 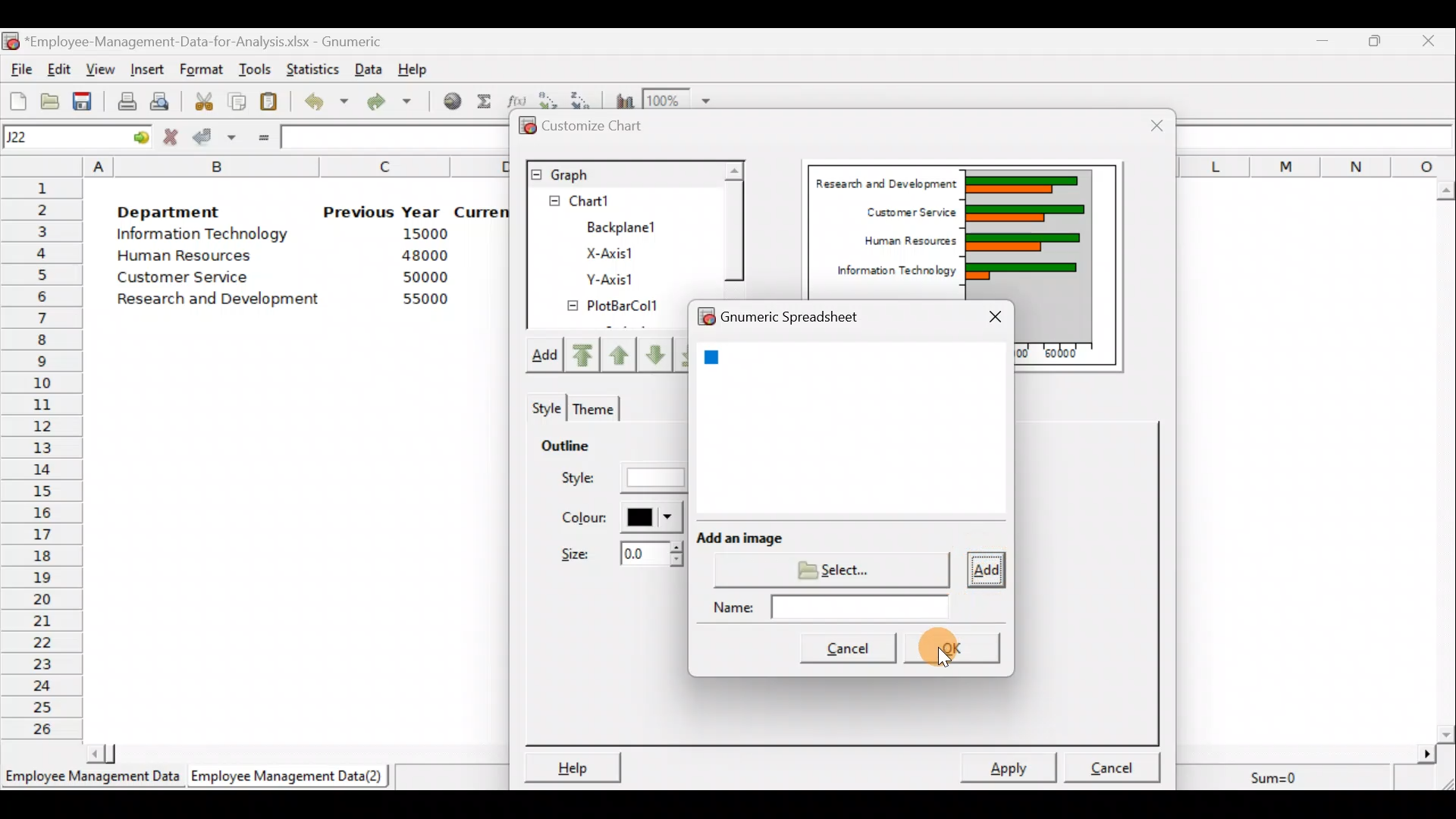 I want to click on Customer Service, so click(x=904, y=212).